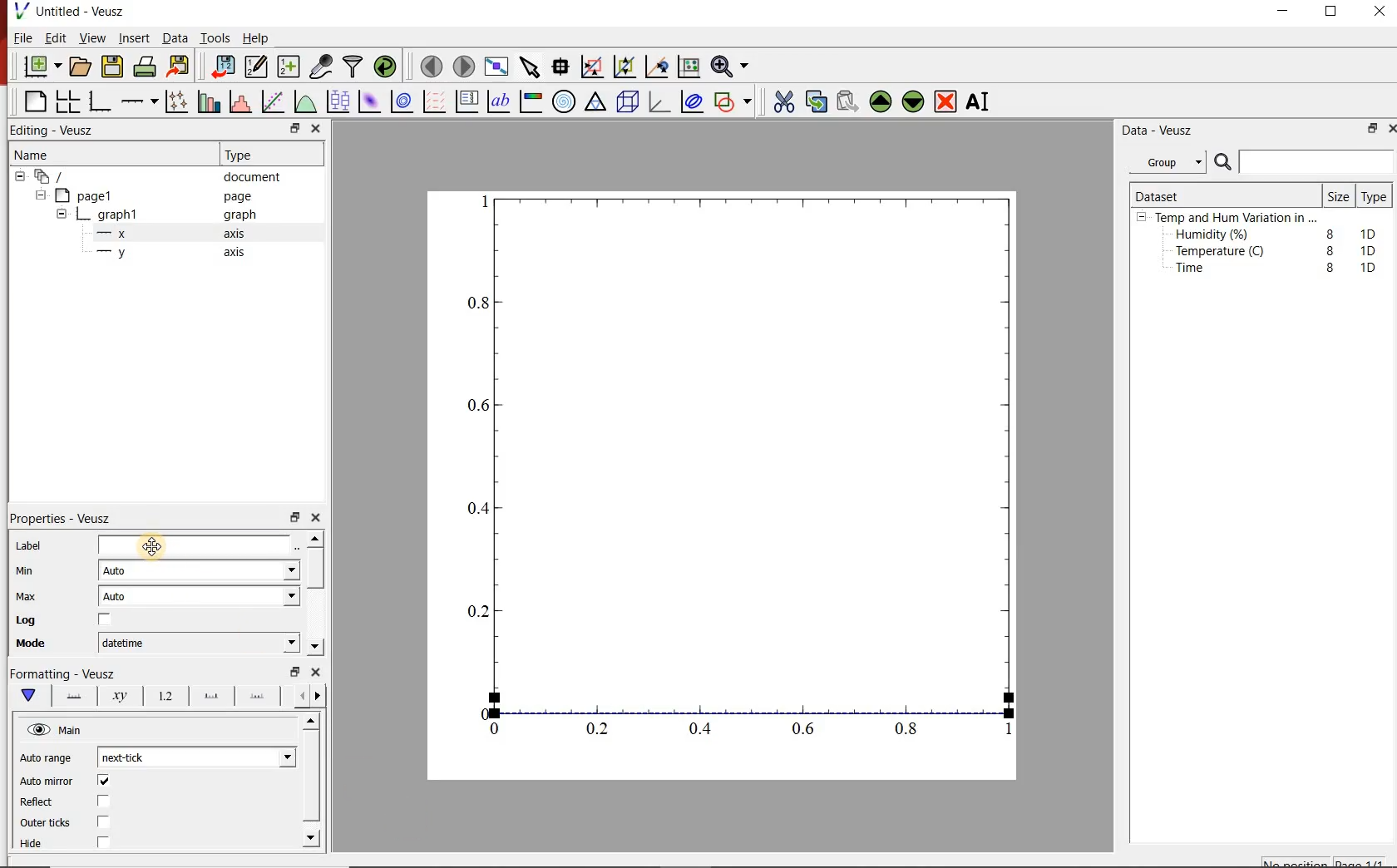 This screenshot has height=868, width=1397. What do you see at coordinates (911, 732) in the screenshot?
I see `0.8` at bounding box center [911, 732].